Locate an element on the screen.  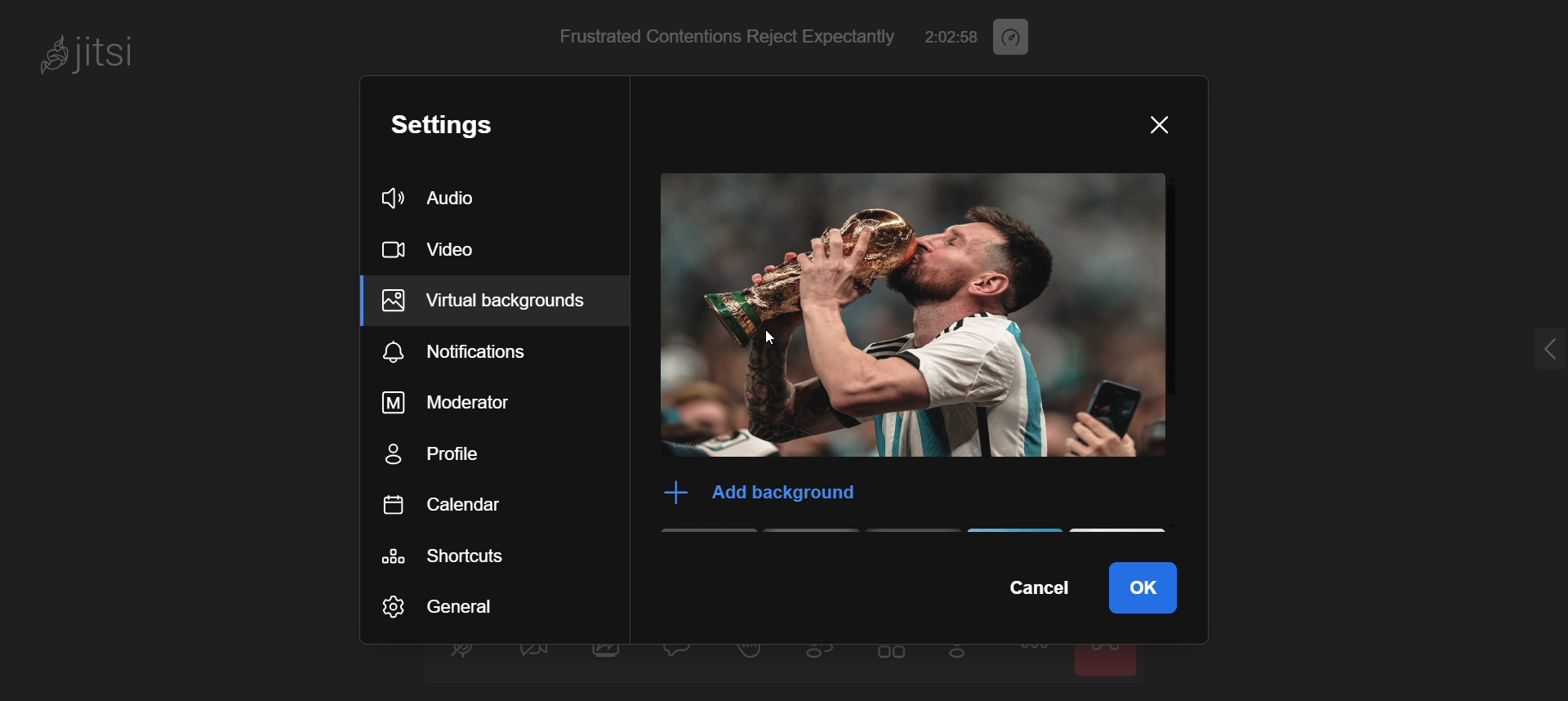
video is located at coordinates (438, 245).